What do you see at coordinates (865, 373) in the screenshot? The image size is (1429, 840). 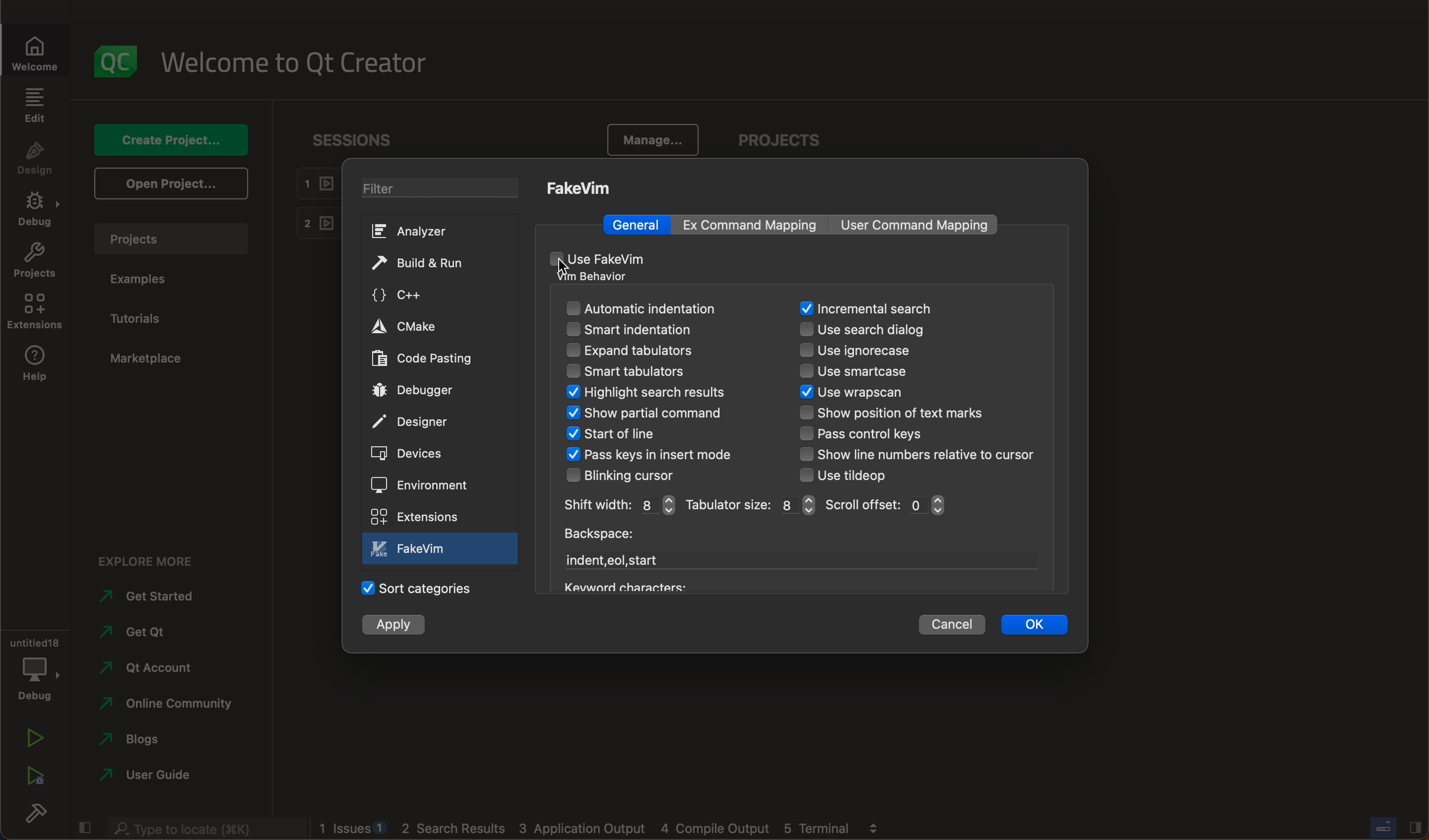 I see `smartcase` at bounding box center [865, 373].